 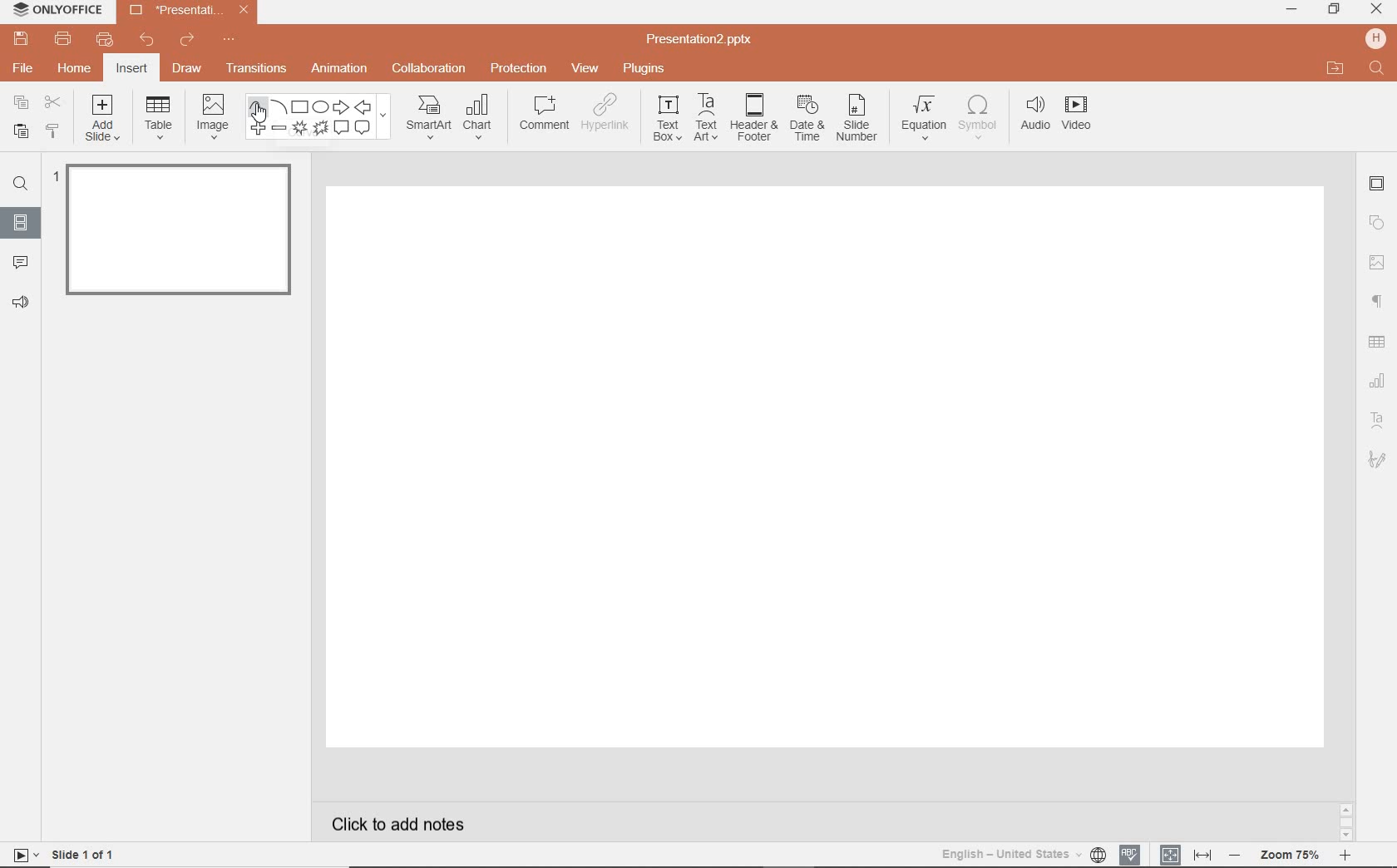 I want to click on HYPERLINK, so click(x=608, y=116).